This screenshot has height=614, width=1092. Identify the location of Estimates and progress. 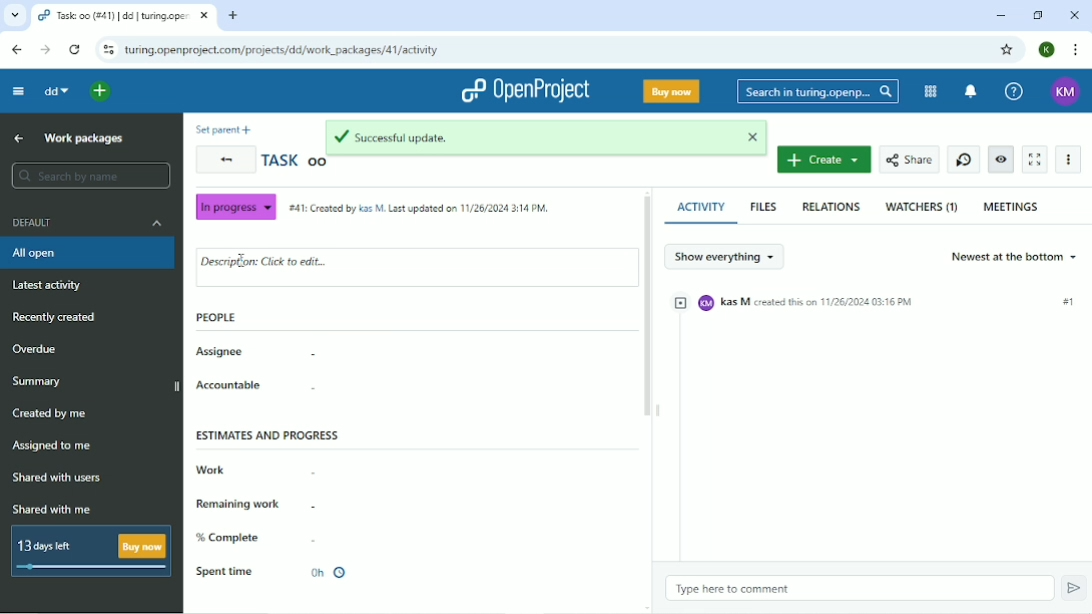
(268, 435).